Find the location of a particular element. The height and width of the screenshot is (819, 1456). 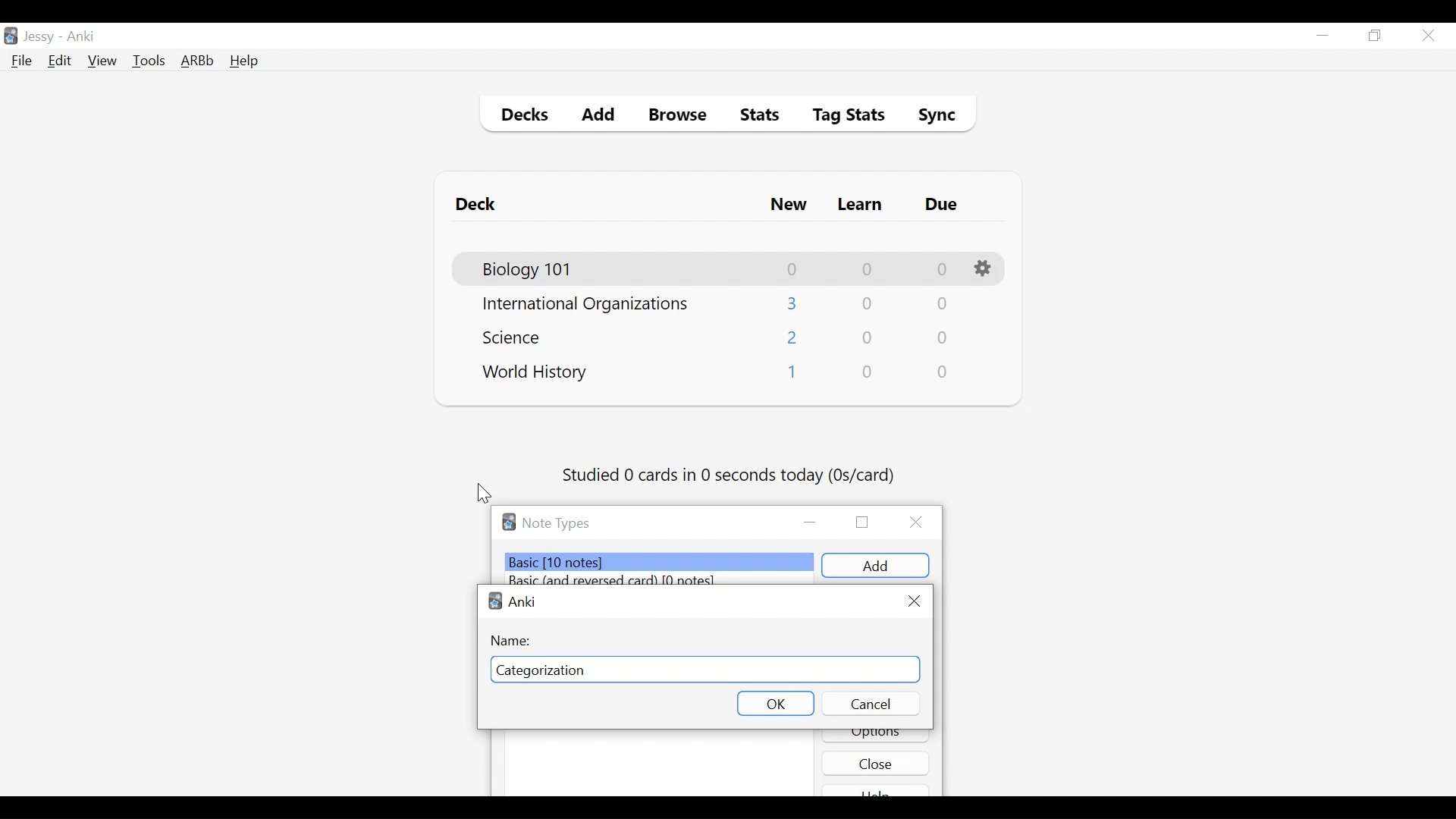

Anki Desktop icon is located at coordinates (11, 36).